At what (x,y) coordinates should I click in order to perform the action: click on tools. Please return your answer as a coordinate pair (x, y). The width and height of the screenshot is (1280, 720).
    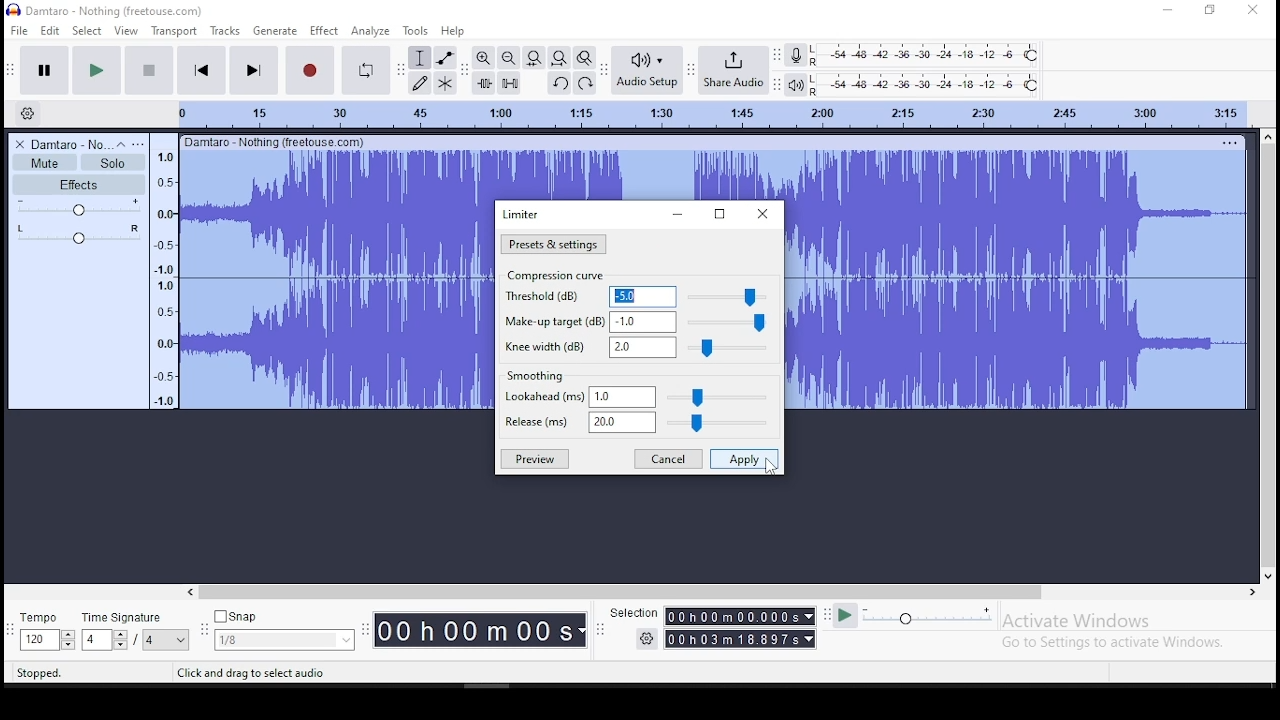
    Looking at the image, I should click on (416, 30).